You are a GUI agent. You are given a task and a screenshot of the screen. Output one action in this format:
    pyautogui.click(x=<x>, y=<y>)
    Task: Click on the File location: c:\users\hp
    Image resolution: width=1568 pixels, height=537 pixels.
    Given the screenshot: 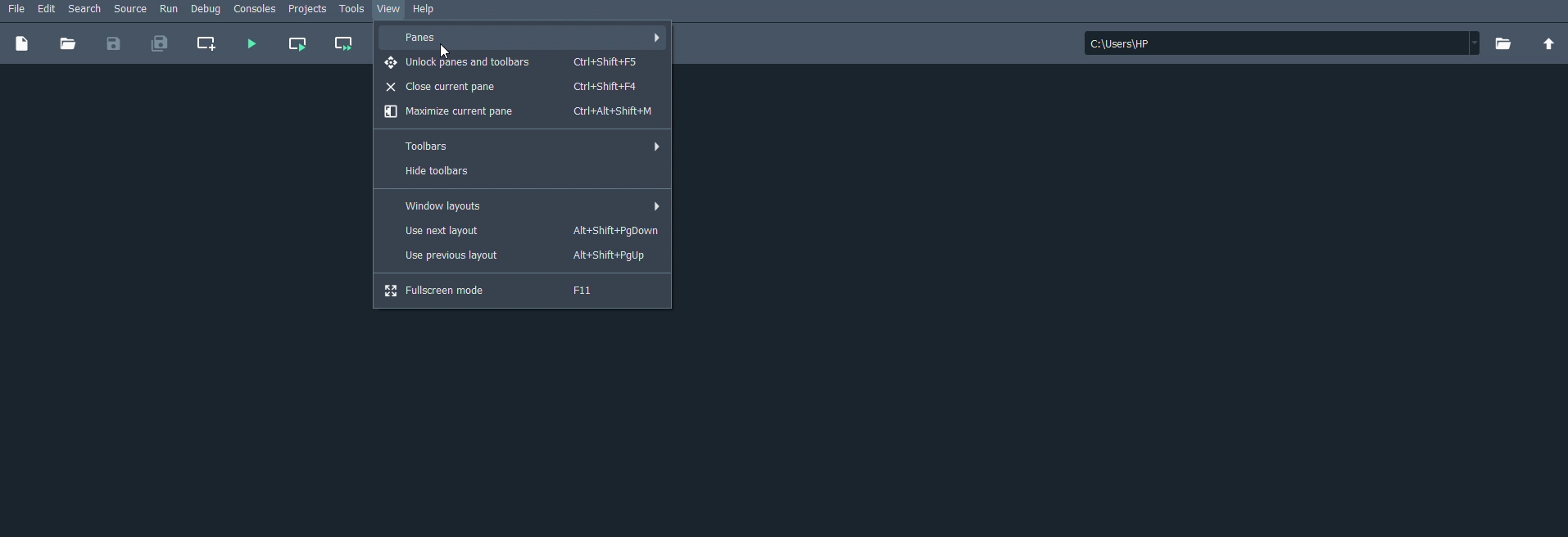 What is the action you would take?
    pyautogui.click(x=1284, y=43)
    